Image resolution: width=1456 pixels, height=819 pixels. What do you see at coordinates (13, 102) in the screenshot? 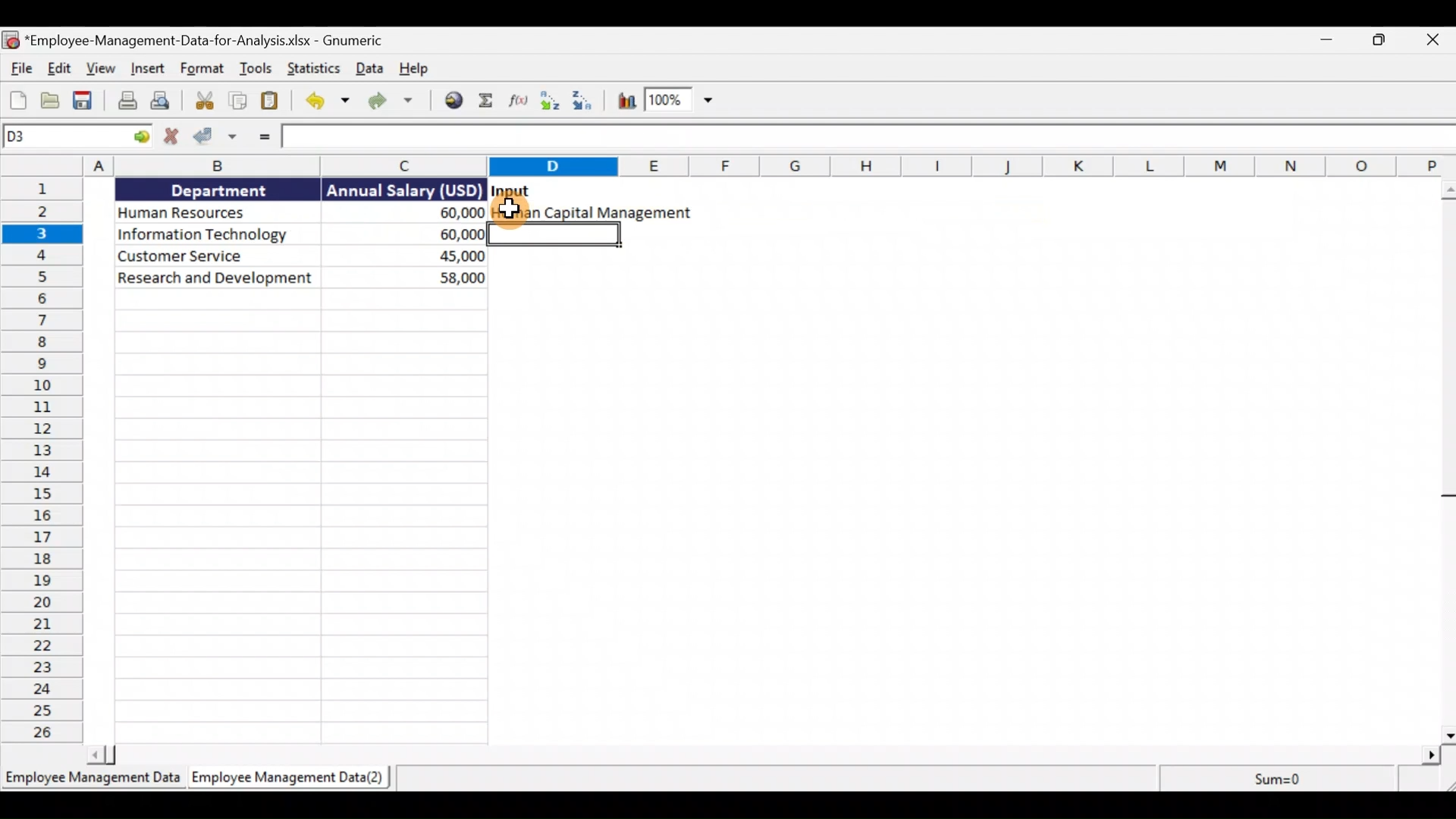
I see `Create a new workbook` at bounding box center [13, 102].